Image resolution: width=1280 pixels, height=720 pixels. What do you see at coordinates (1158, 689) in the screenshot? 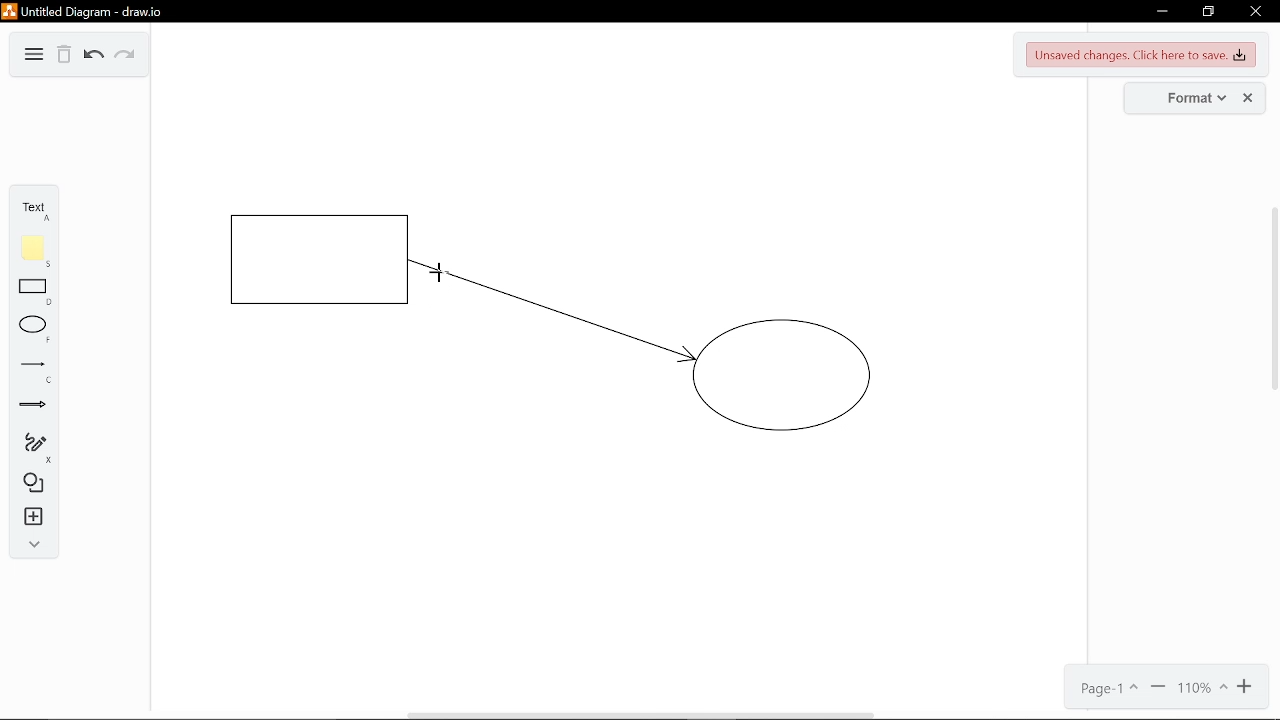
I see `Zoom out` at bounding box center [1158, 689].